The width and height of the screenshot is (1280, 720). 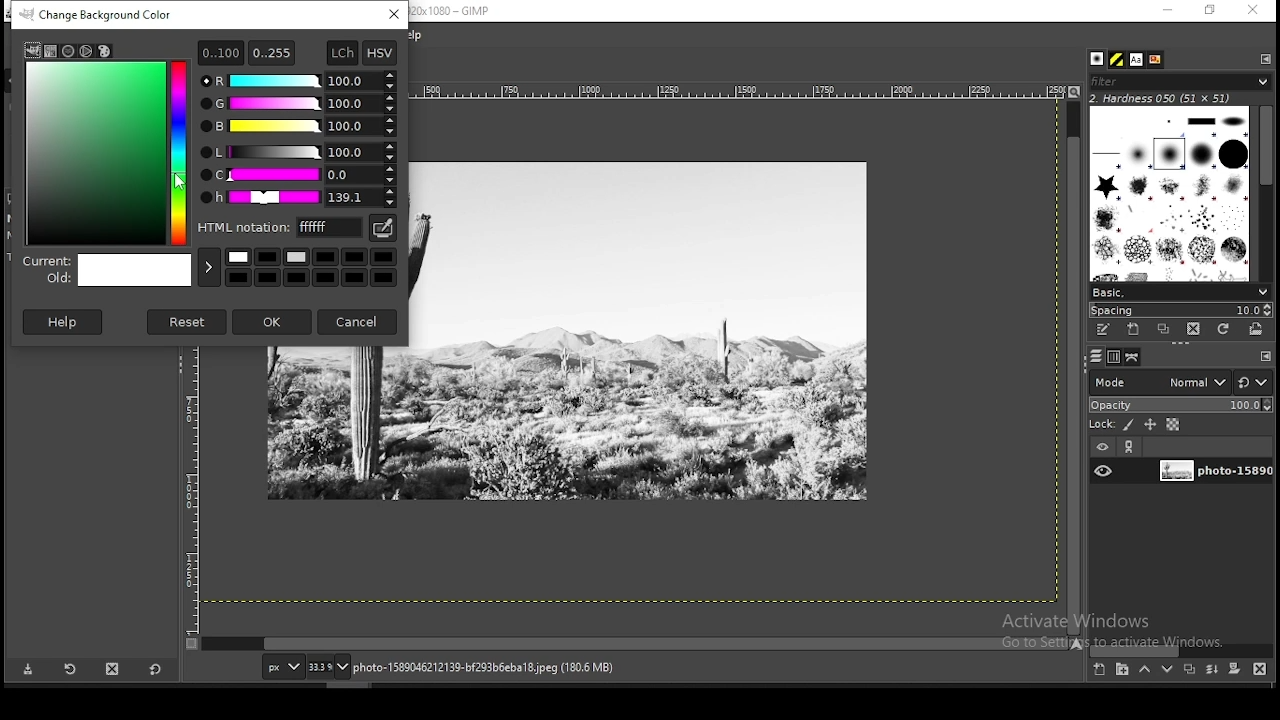 I want to click on refresh brush, so click(x=1223, y=329).